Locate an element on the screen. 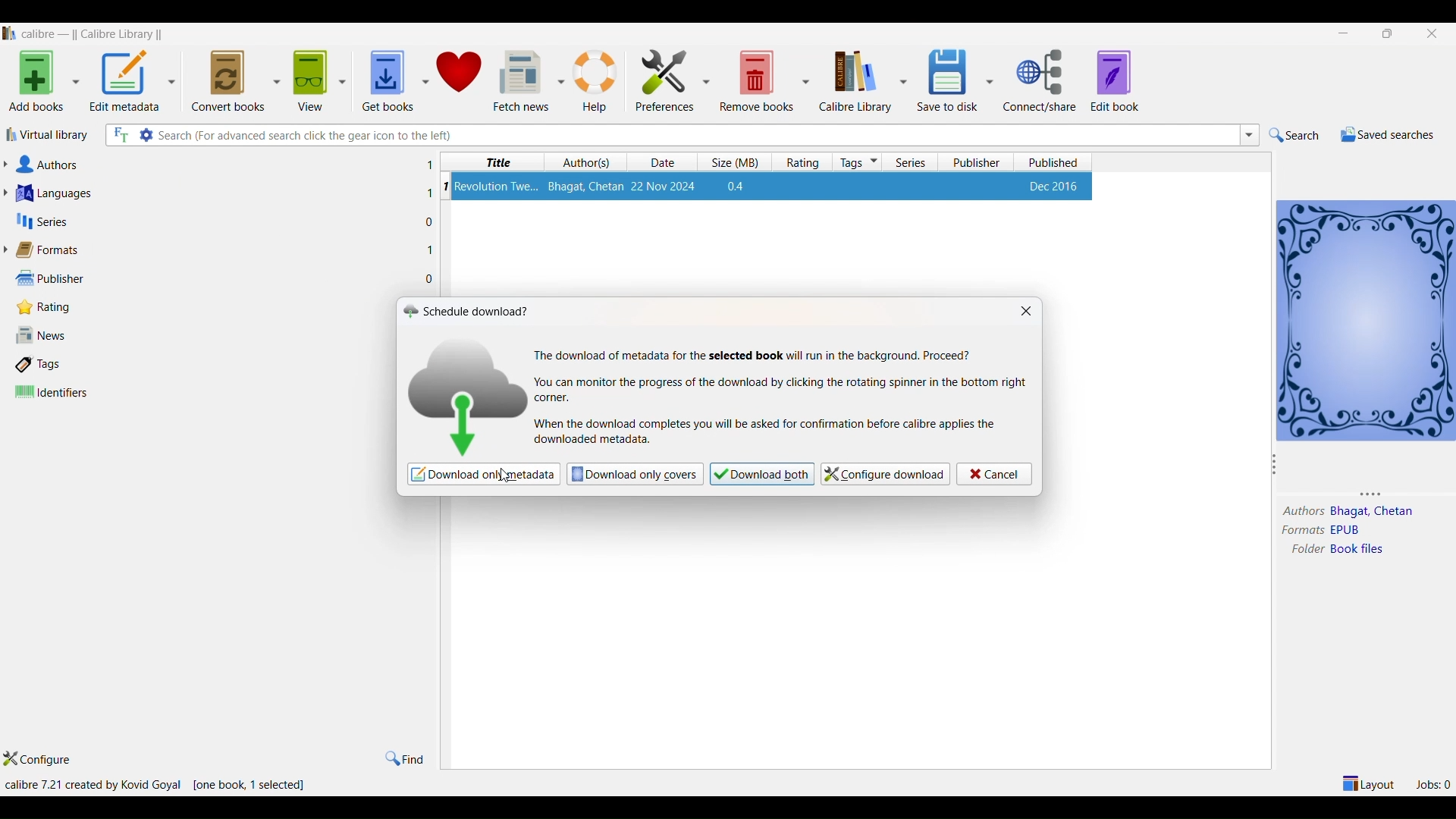 The height and width of the screenshot is (819, 1456). folder name is located at coordinates (1359, 553).